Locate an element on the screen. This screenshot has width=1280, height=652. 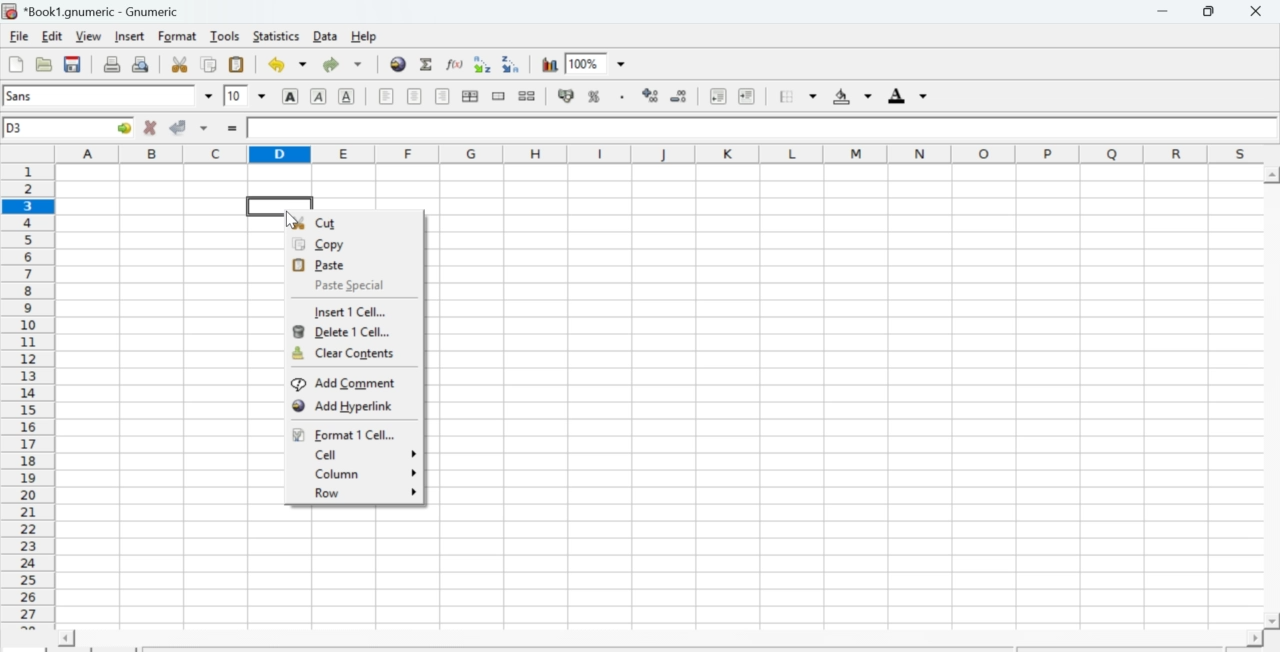
Format the selection as accounting is located at coordinates (566, 95).